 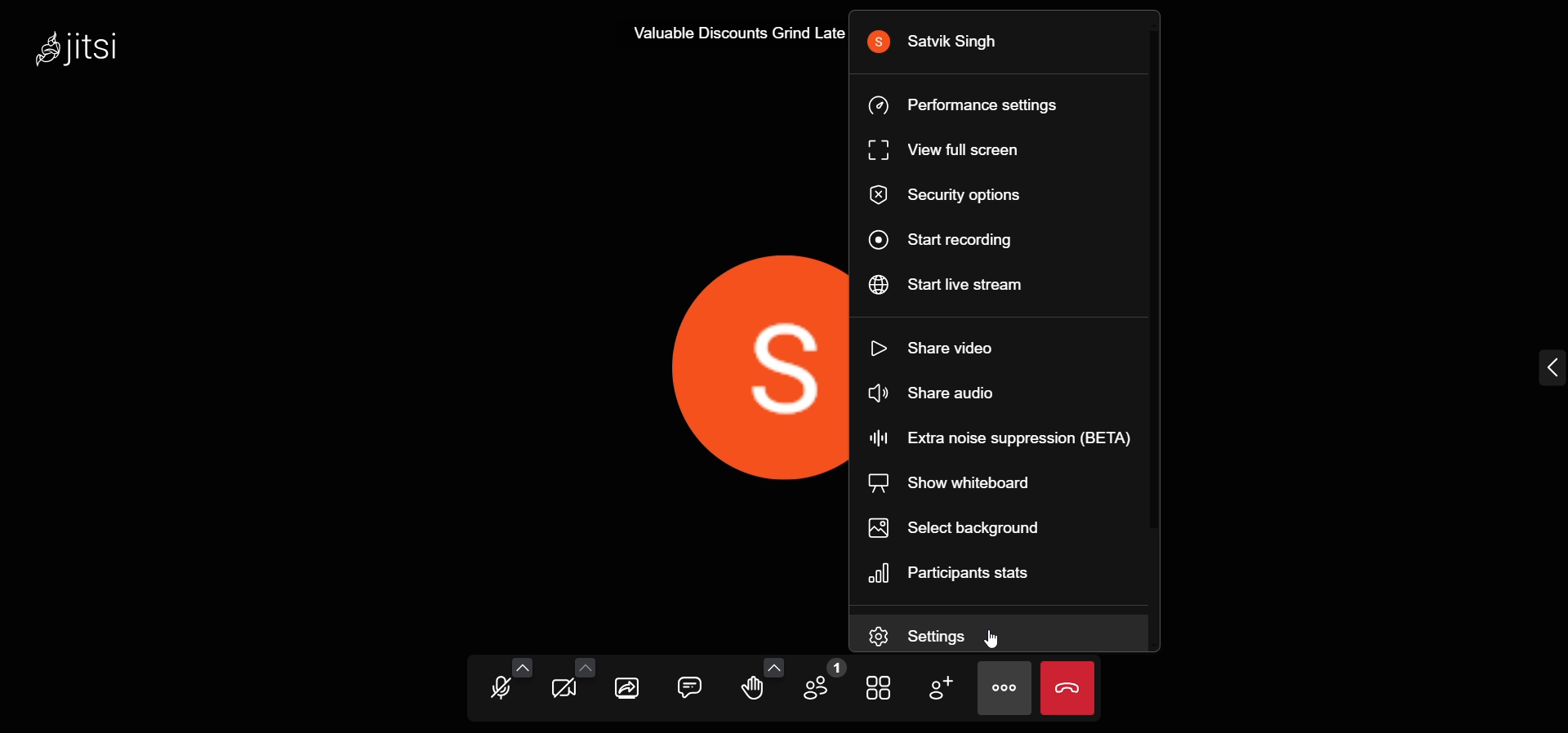 I want to click on cursor, so click(x=991, y=641).